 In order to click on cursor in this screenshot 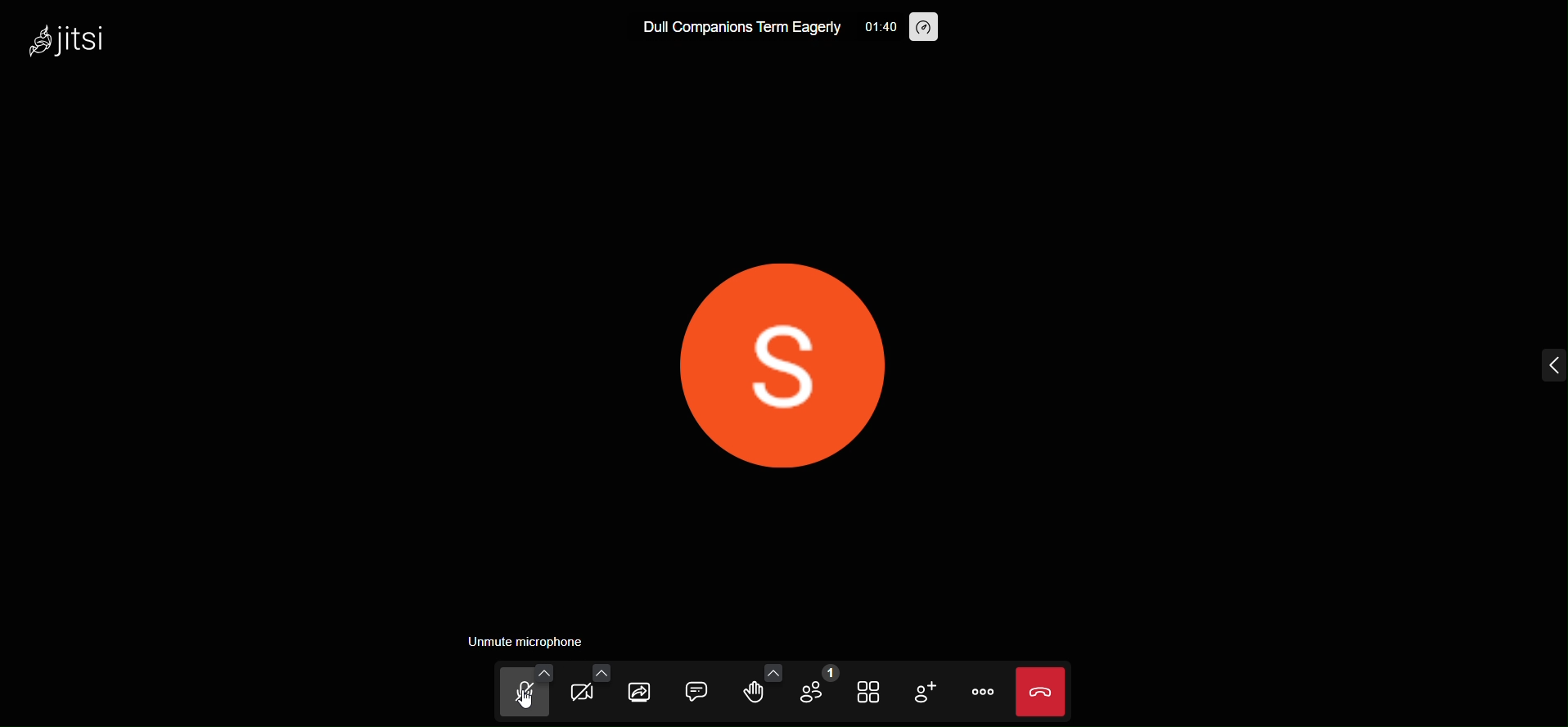, I will do `click(526, 708)`.